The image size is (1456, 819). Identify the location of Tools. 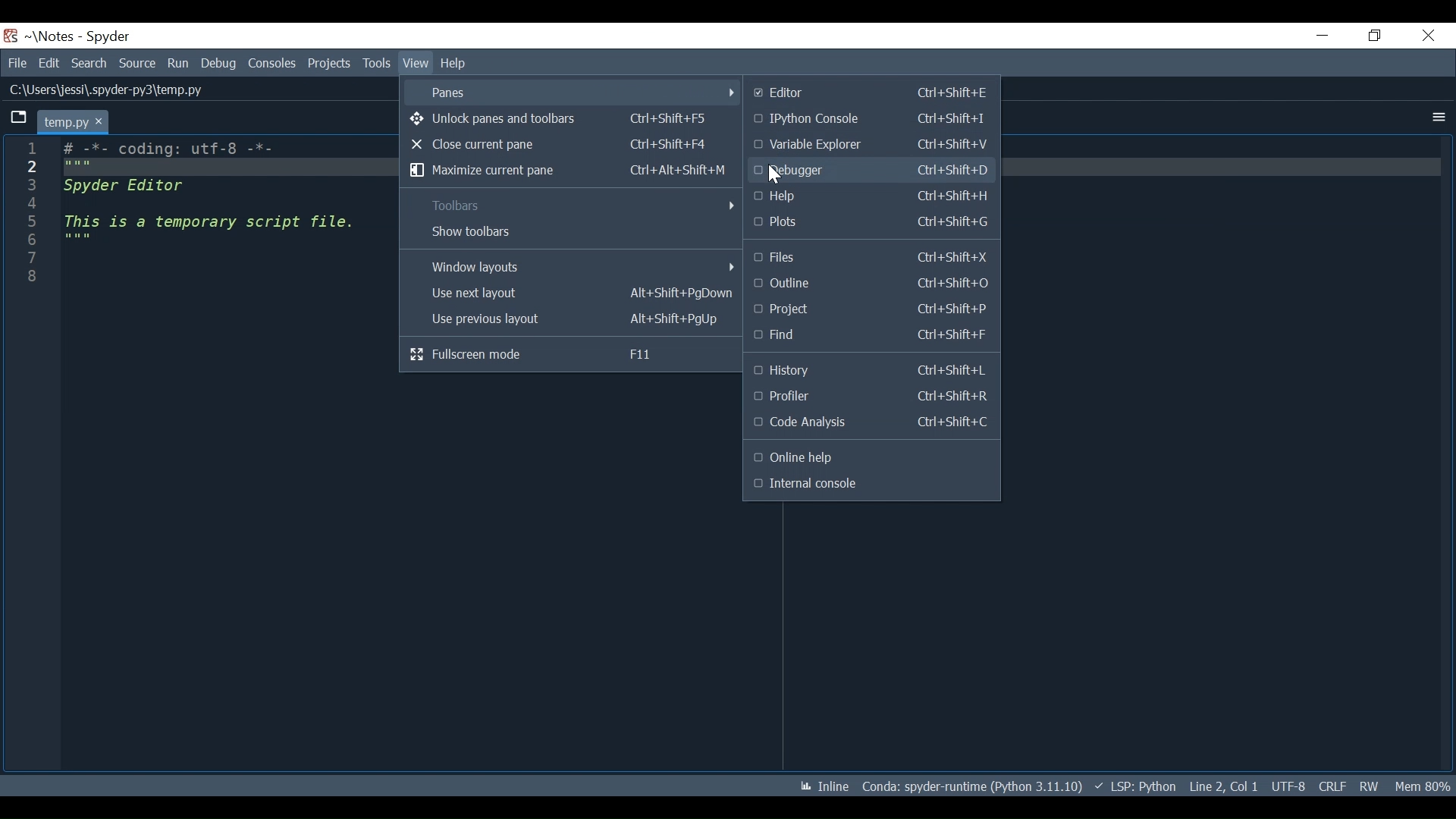
(331, 63).